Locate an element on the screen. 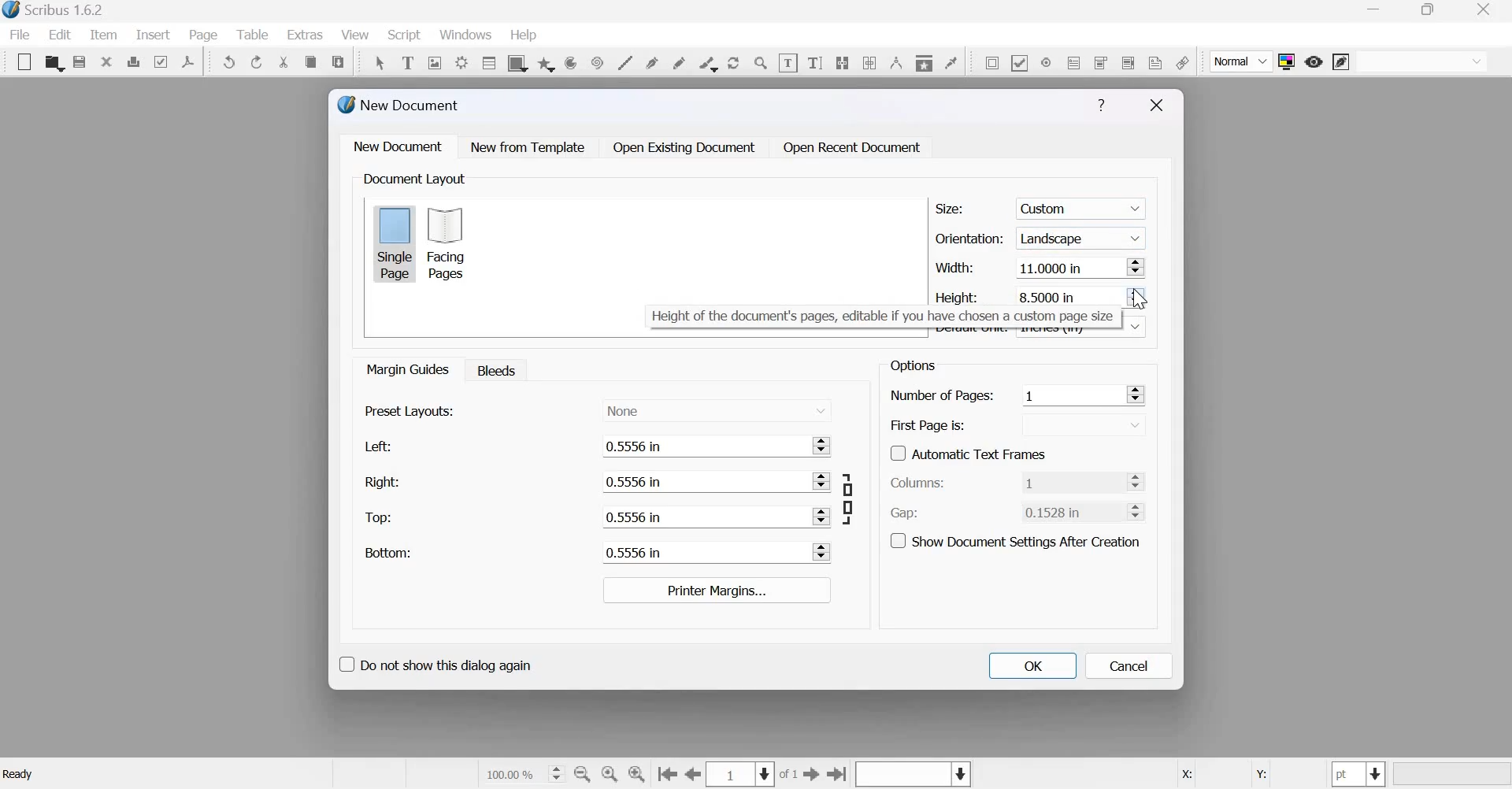  Cancel is located at coordinates (1129, 666).